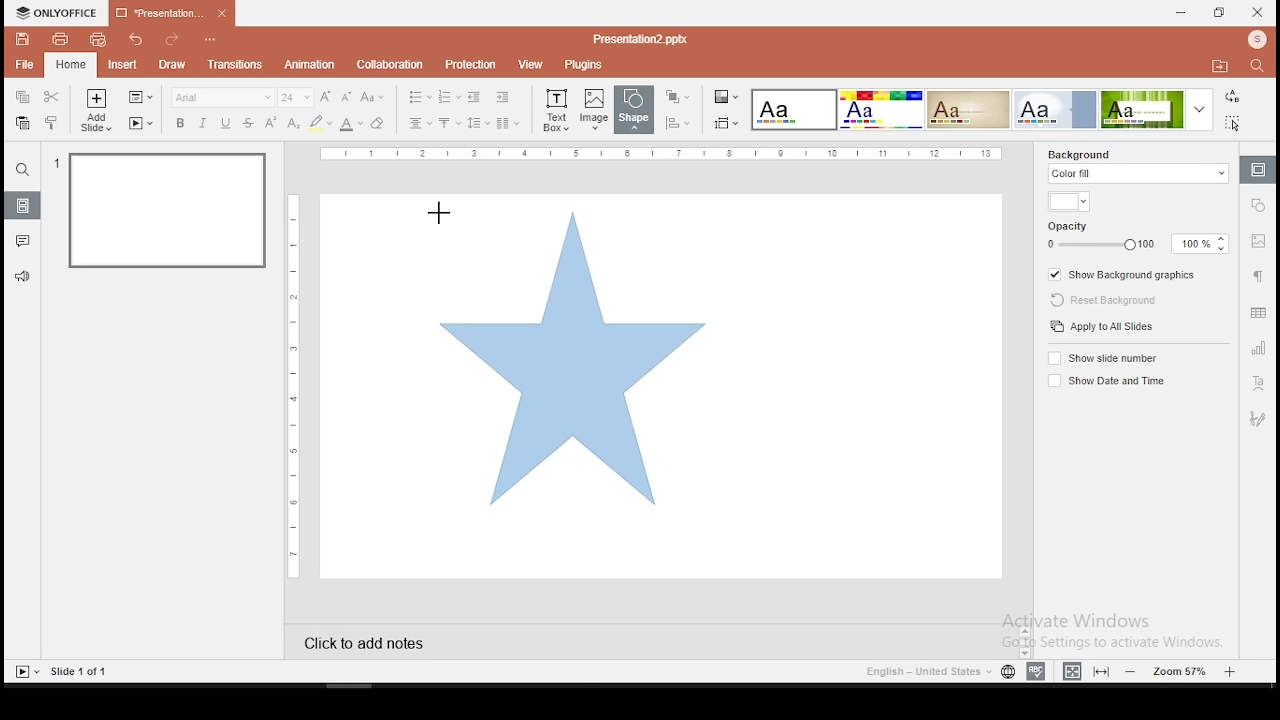 Image resolution: width=1280 pixels, height=720 pixels. What do you see at coordinates (21, 98) in the screenshot?
I see `copy` at bounding box center [21, 98].